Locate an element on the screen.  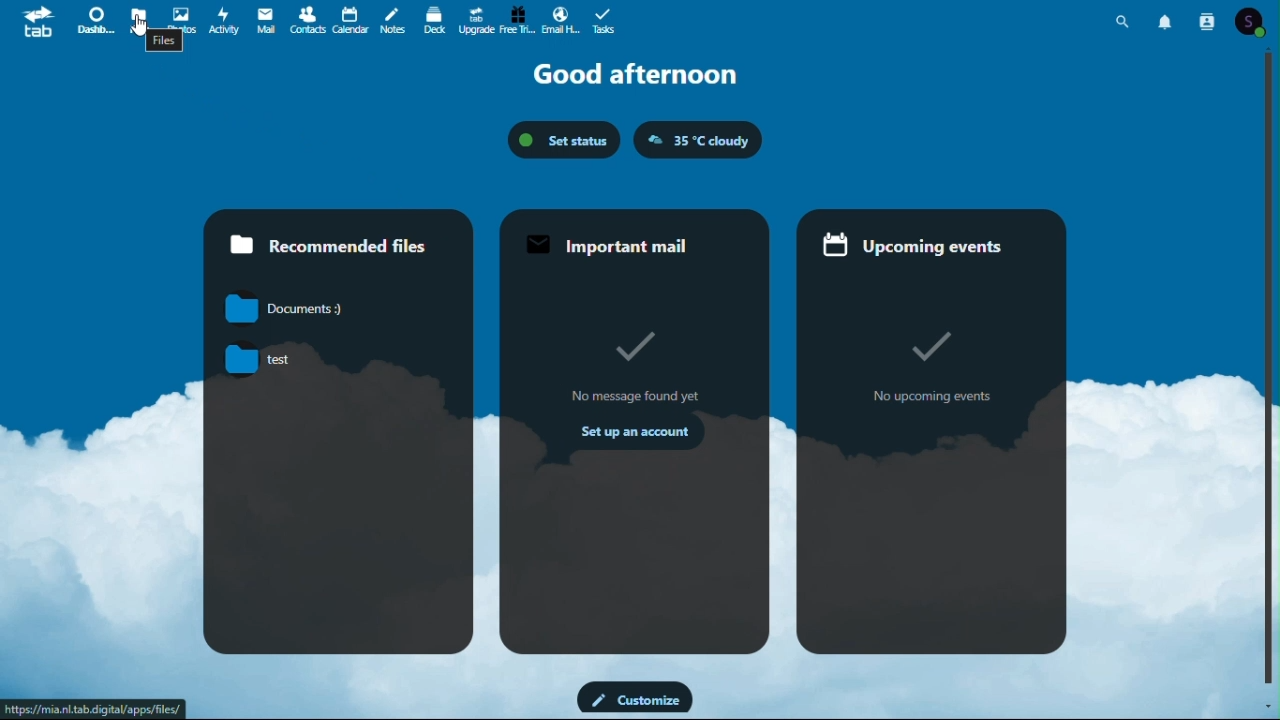
Contacts is located at coordinates (1205, 21).